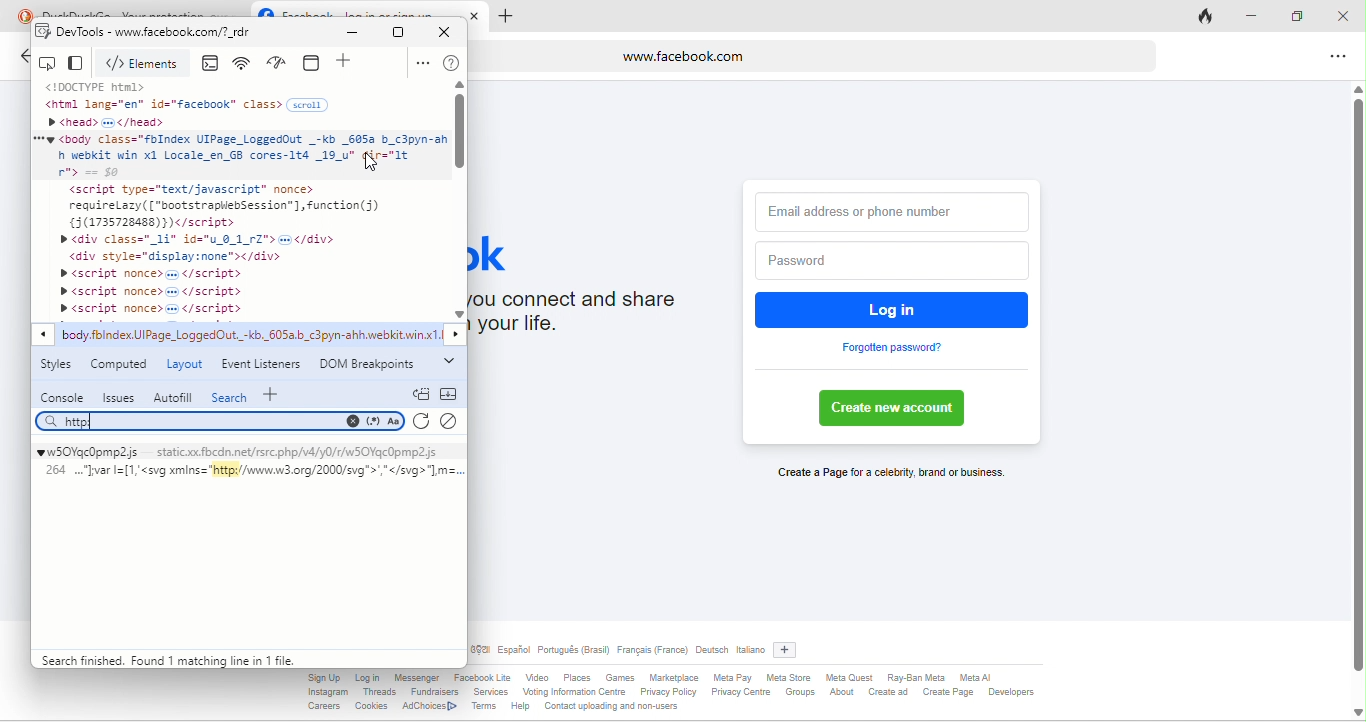 Image resolution: width=1366 pixels, height=722 pixels. What do you see at coordinates (121, 366) in the screenshot?
I see `computed` at bounding box center [121, 366].